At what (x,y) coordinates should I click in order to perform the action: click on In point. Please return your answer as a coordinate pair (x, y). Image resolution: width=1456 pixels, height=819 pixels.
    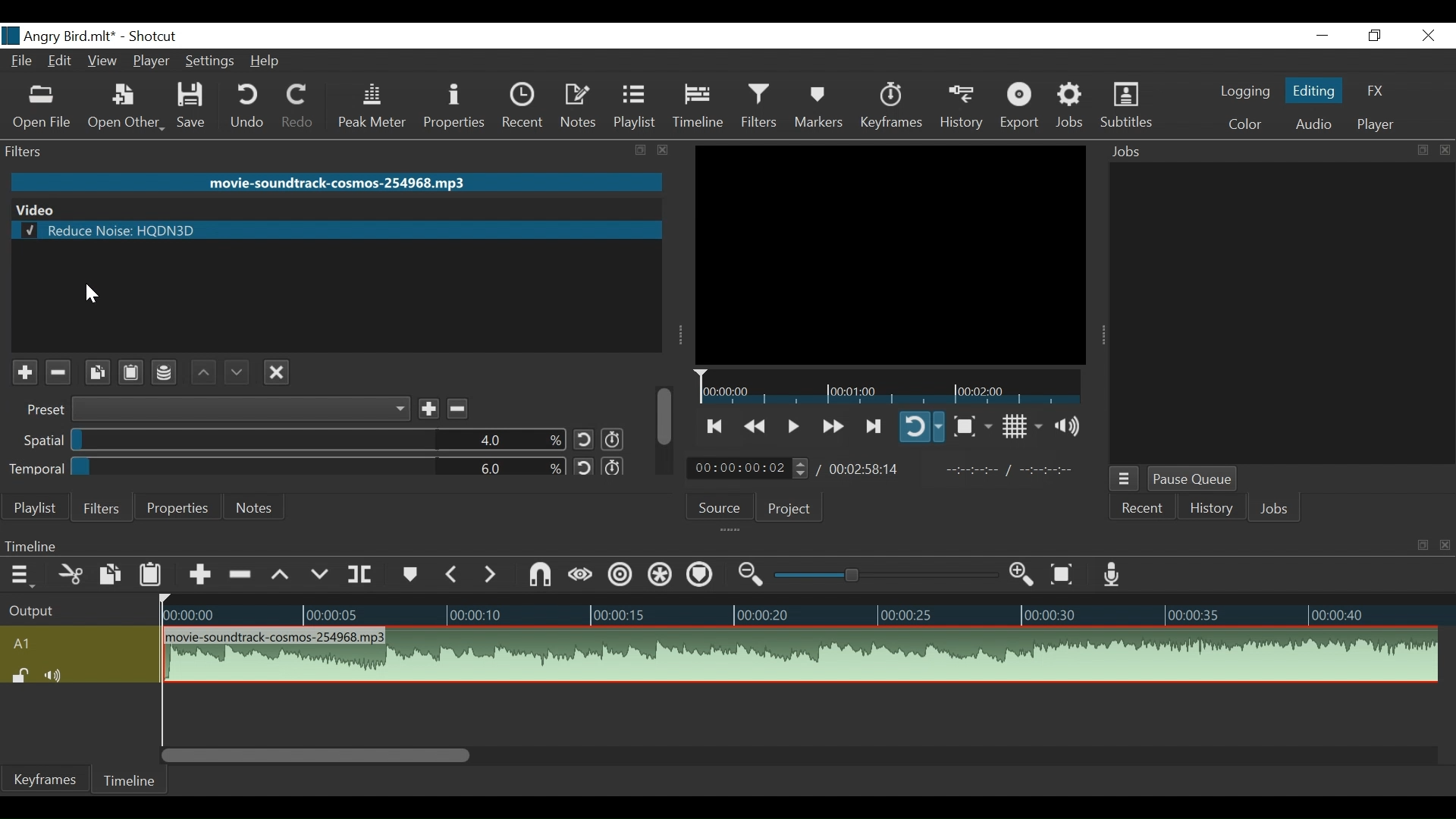
    Looking at the image, I should click on (1009, 472).